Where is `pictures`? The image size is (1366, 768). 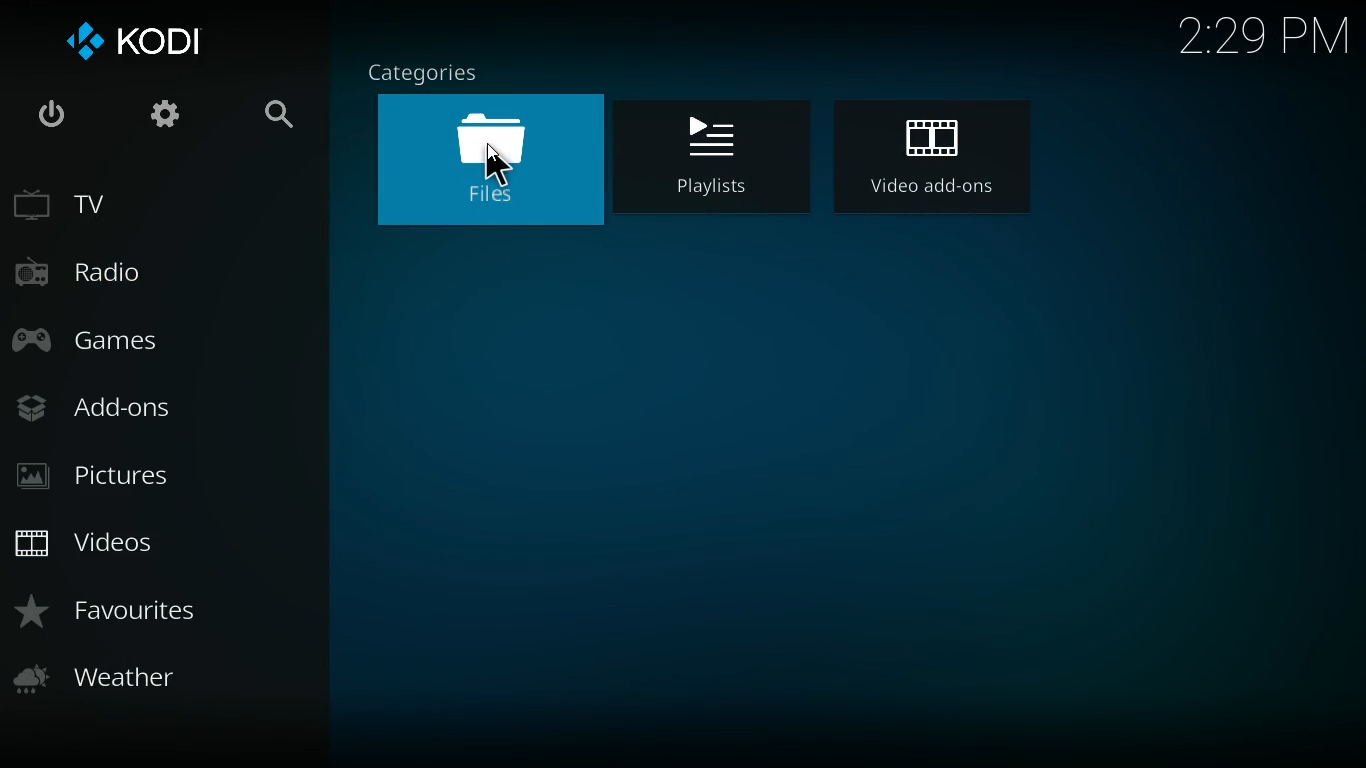
pictures is located at coordinates (153, 477).